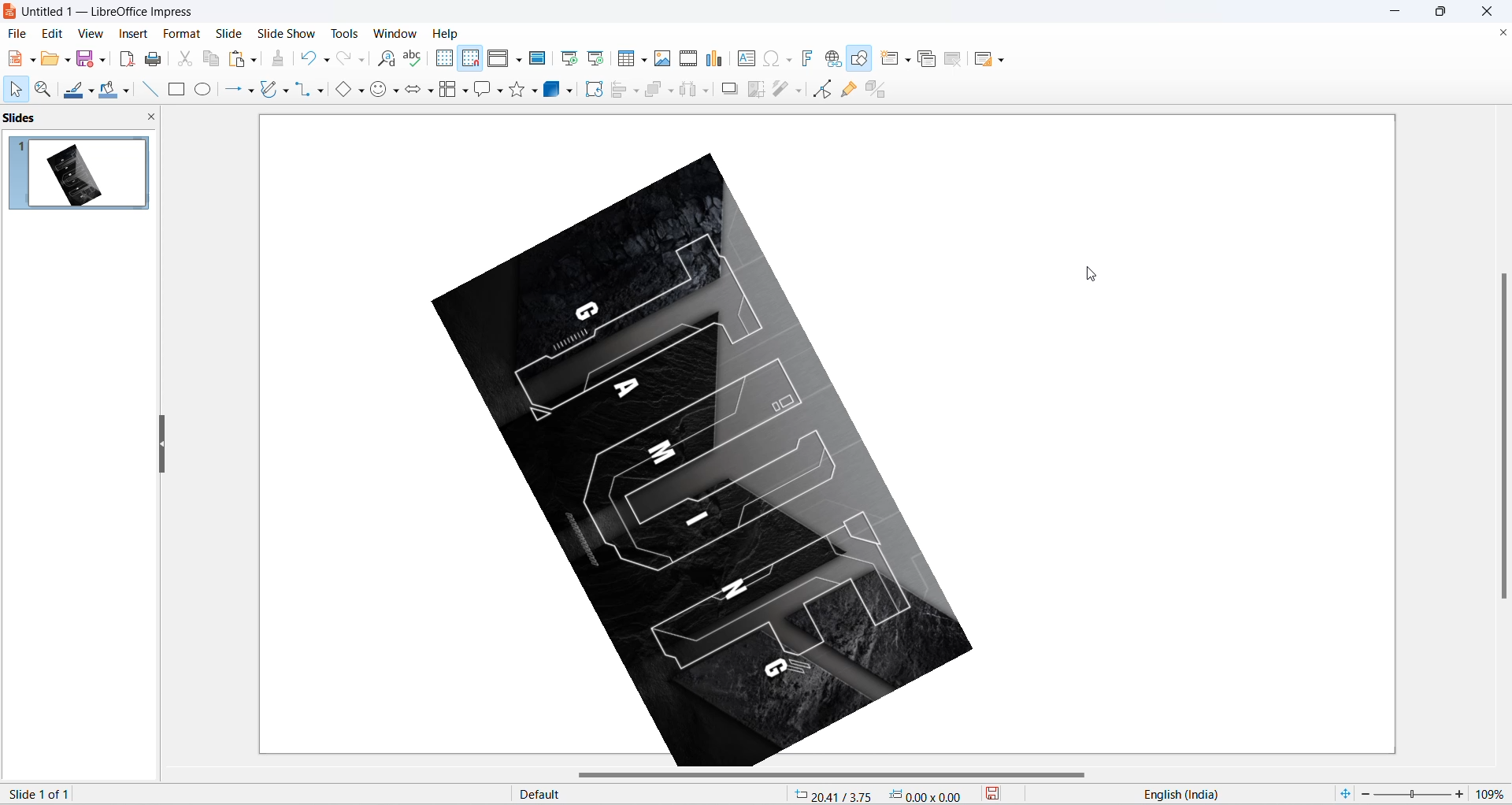 Image resolution: width=1512 pixels, height=805 pixels. Describe the element at coordinates (481, 91) in the screenshot. I see `callout shape` at that location.